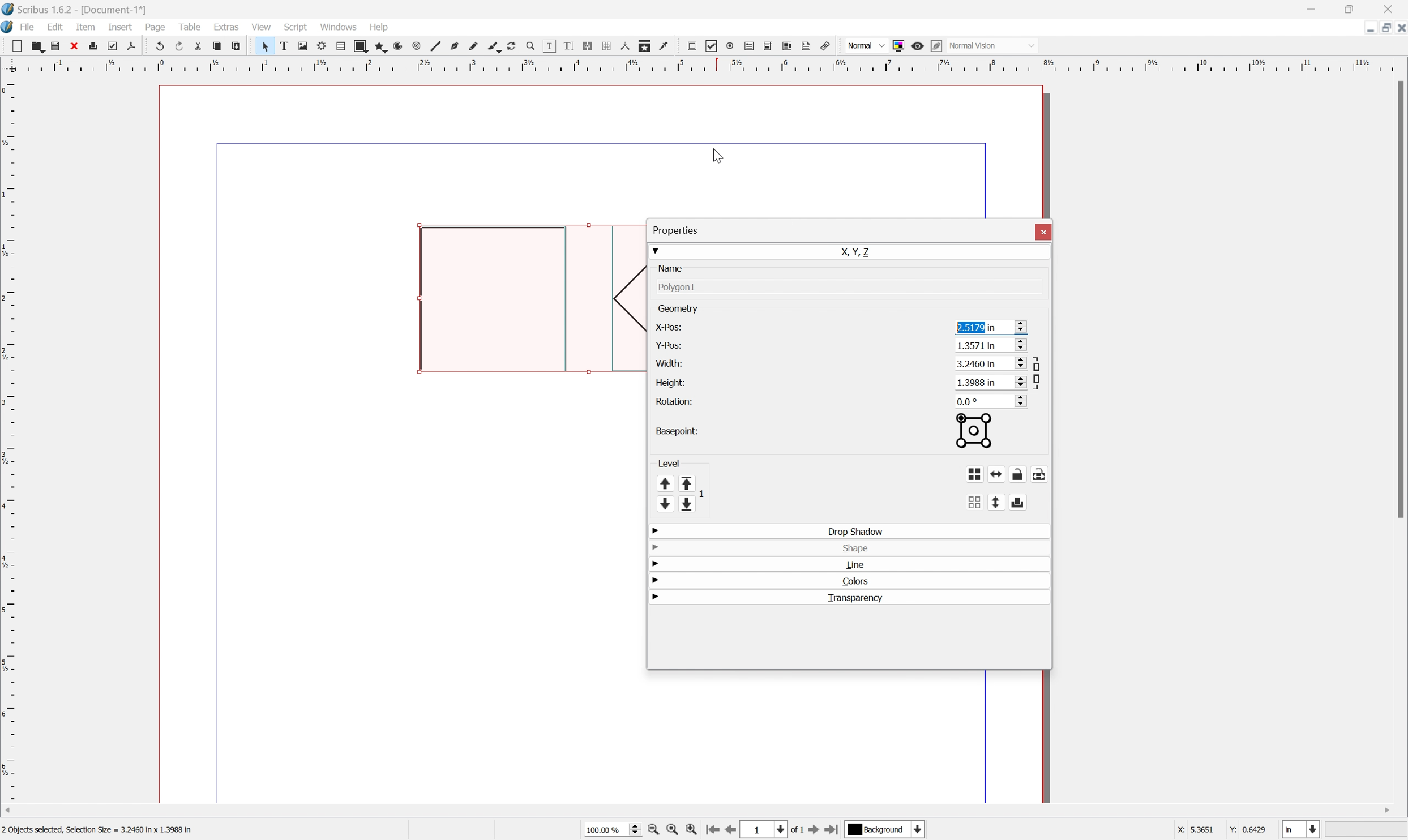 The width and height of the screenshot is (1408, 840). Describe the element at coordinates (1301, 830) in the screenshot. I see `Select current unit` at that location.